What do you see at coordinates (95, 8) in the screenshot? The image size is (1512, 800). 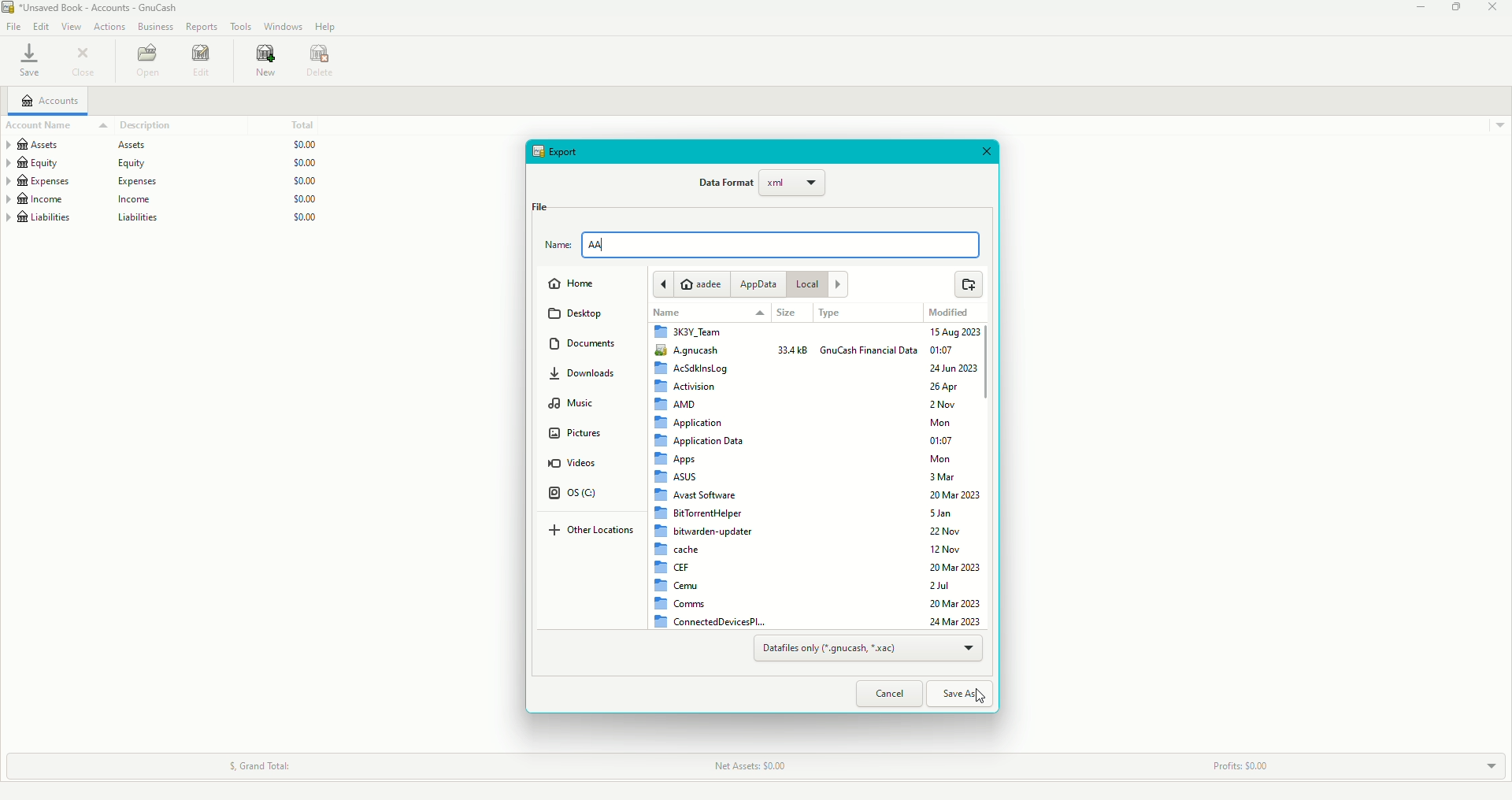 I see `Unnamed Book - Accounts - GnuCash` at bounding box center [95, 8].